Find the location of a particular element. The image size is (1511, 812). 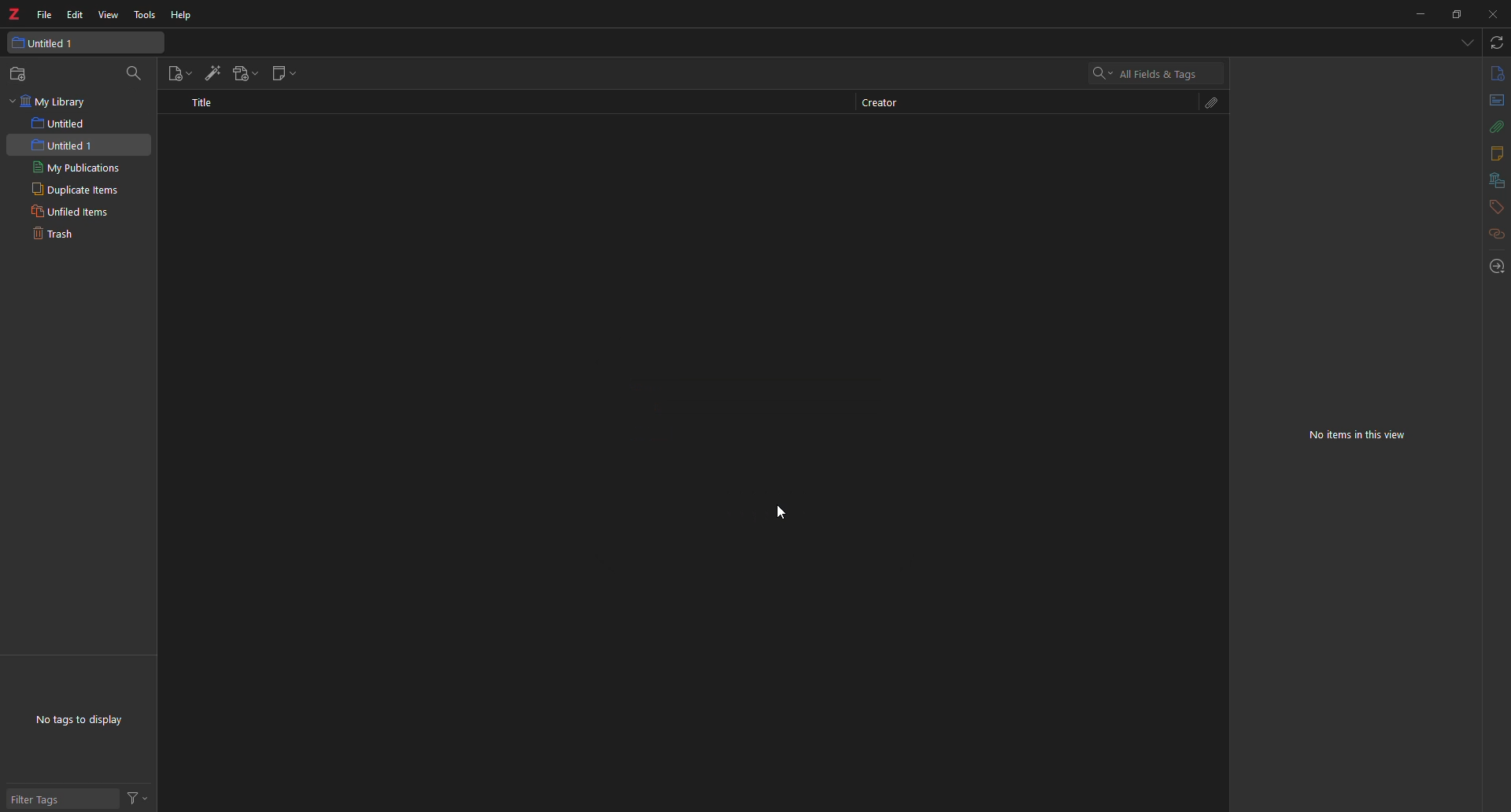

info is located at coordinates (1494, 75).